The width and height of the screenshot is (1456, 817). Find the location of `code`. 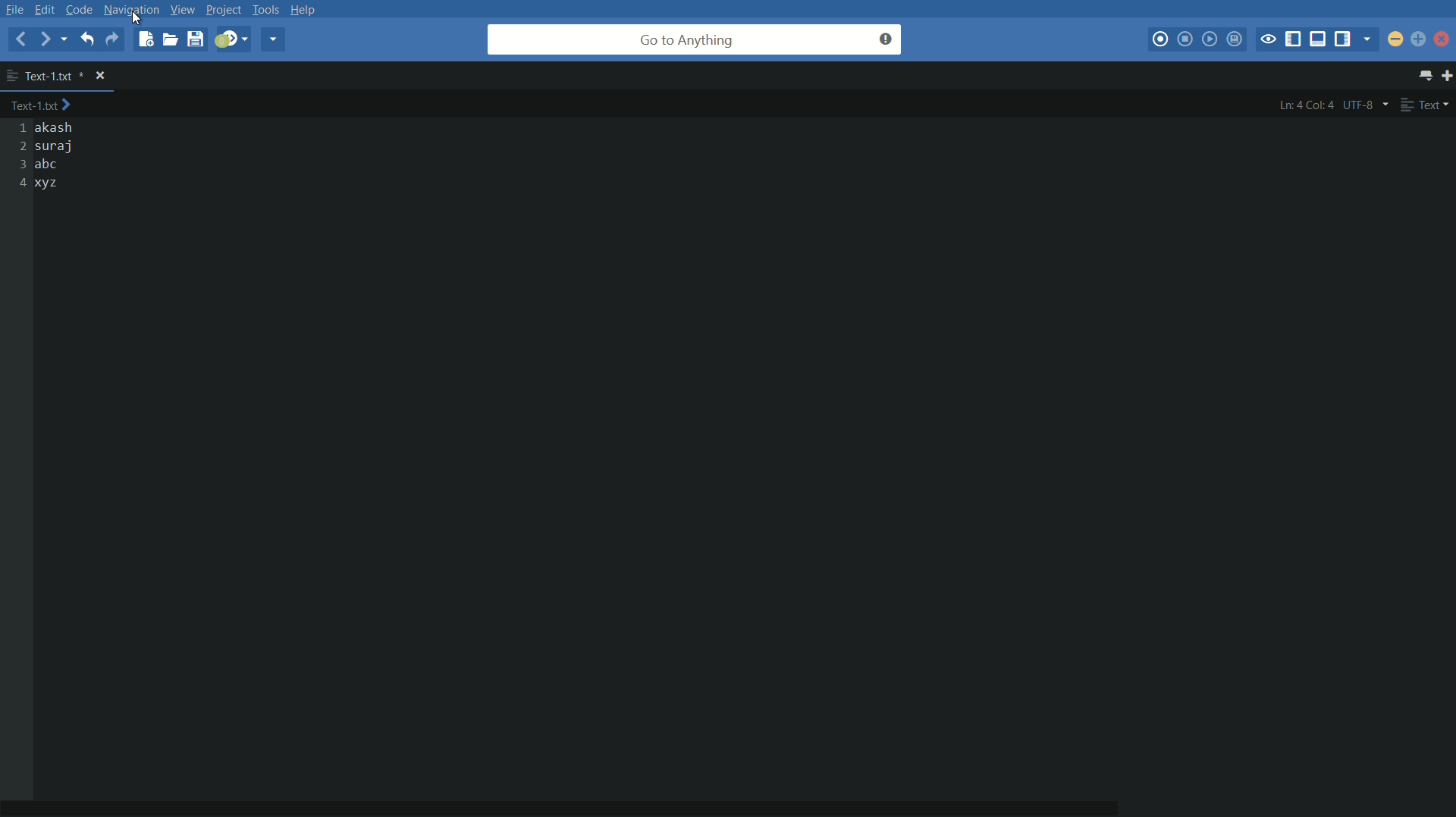

code is located at coordinates (80, 9).